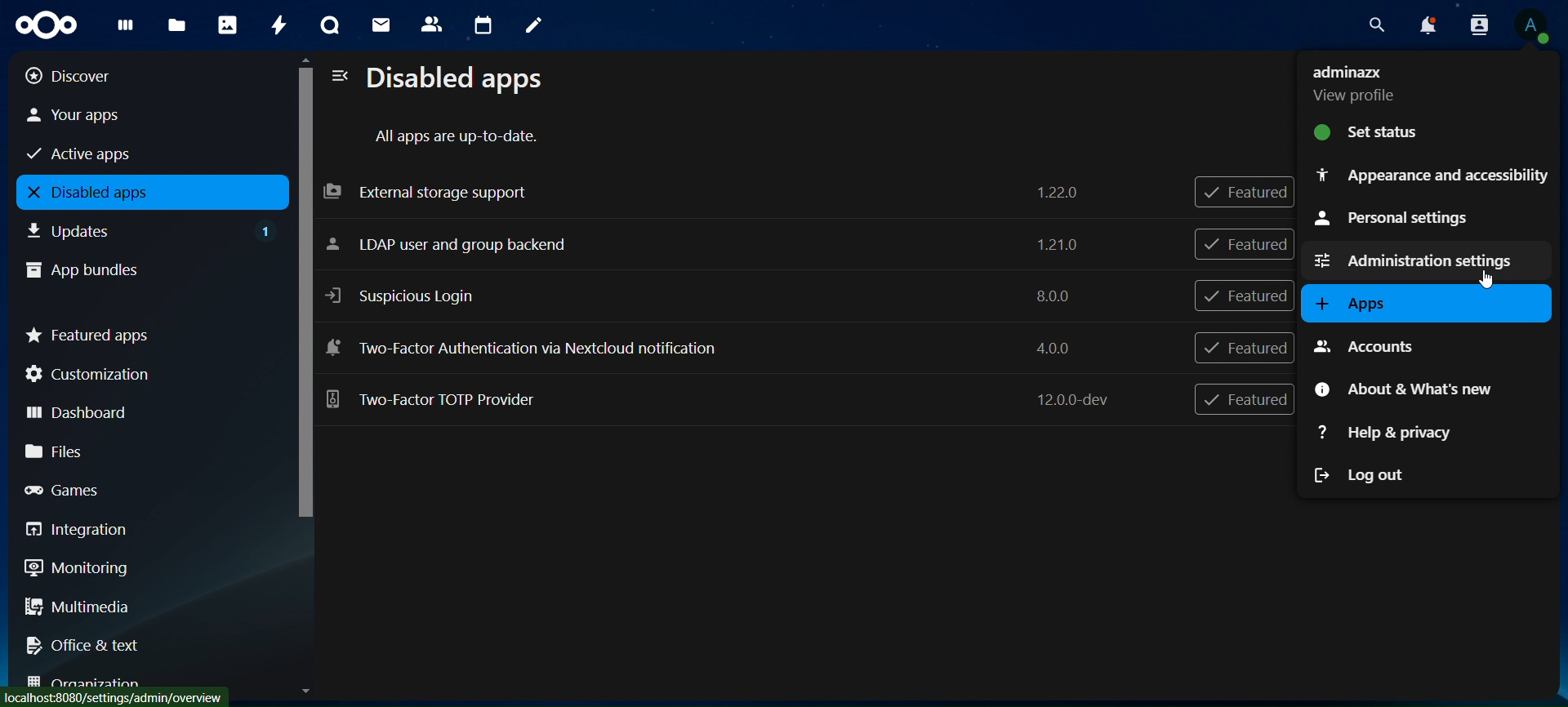  What do you see at coordinates (140, 530) in the screenshot?
I see `integration` at bounding box center [140, 530].